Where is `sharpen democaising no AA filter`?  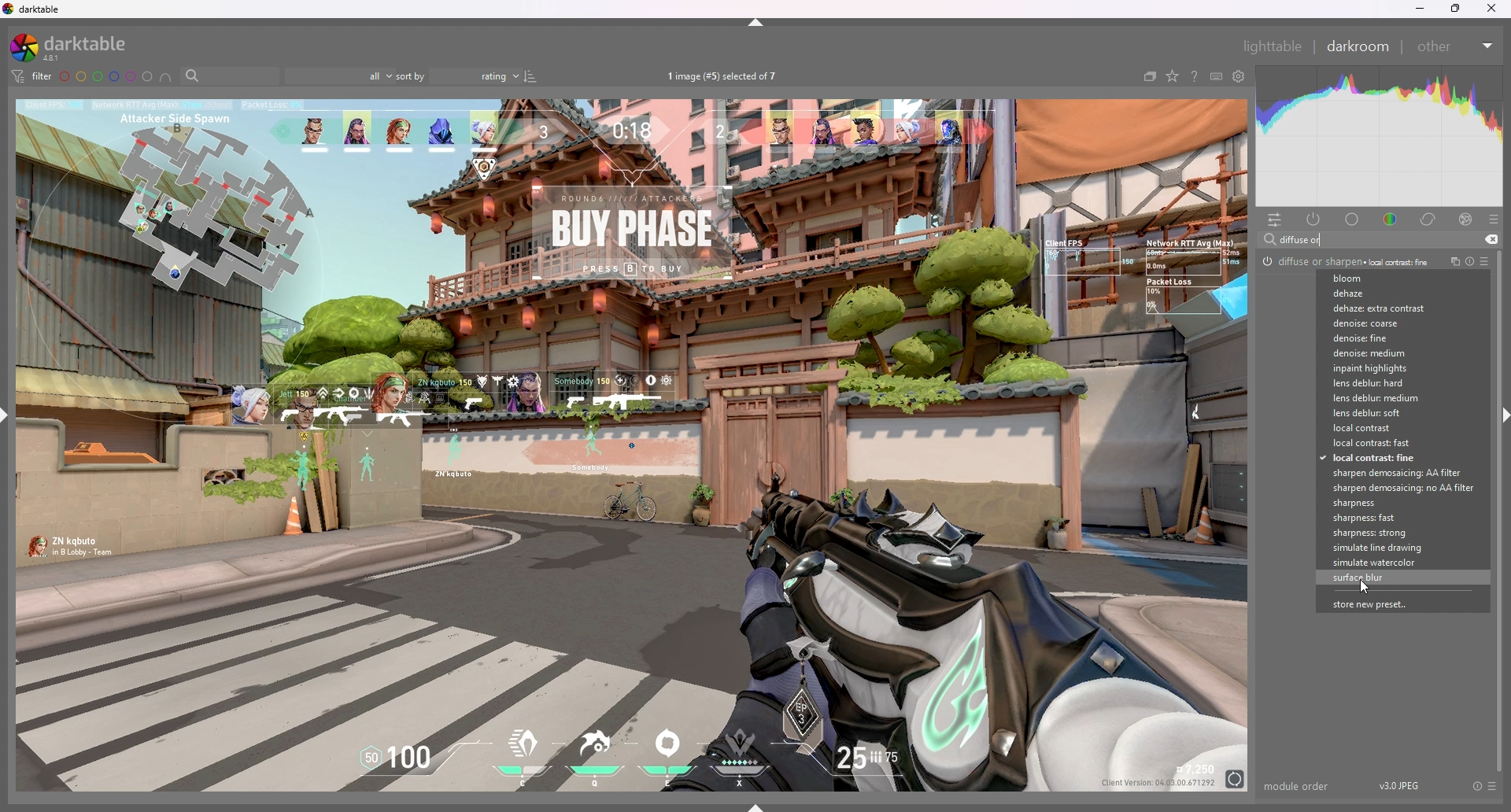 sharpen democaising no AA filter is located at coordinates (1400, 488).